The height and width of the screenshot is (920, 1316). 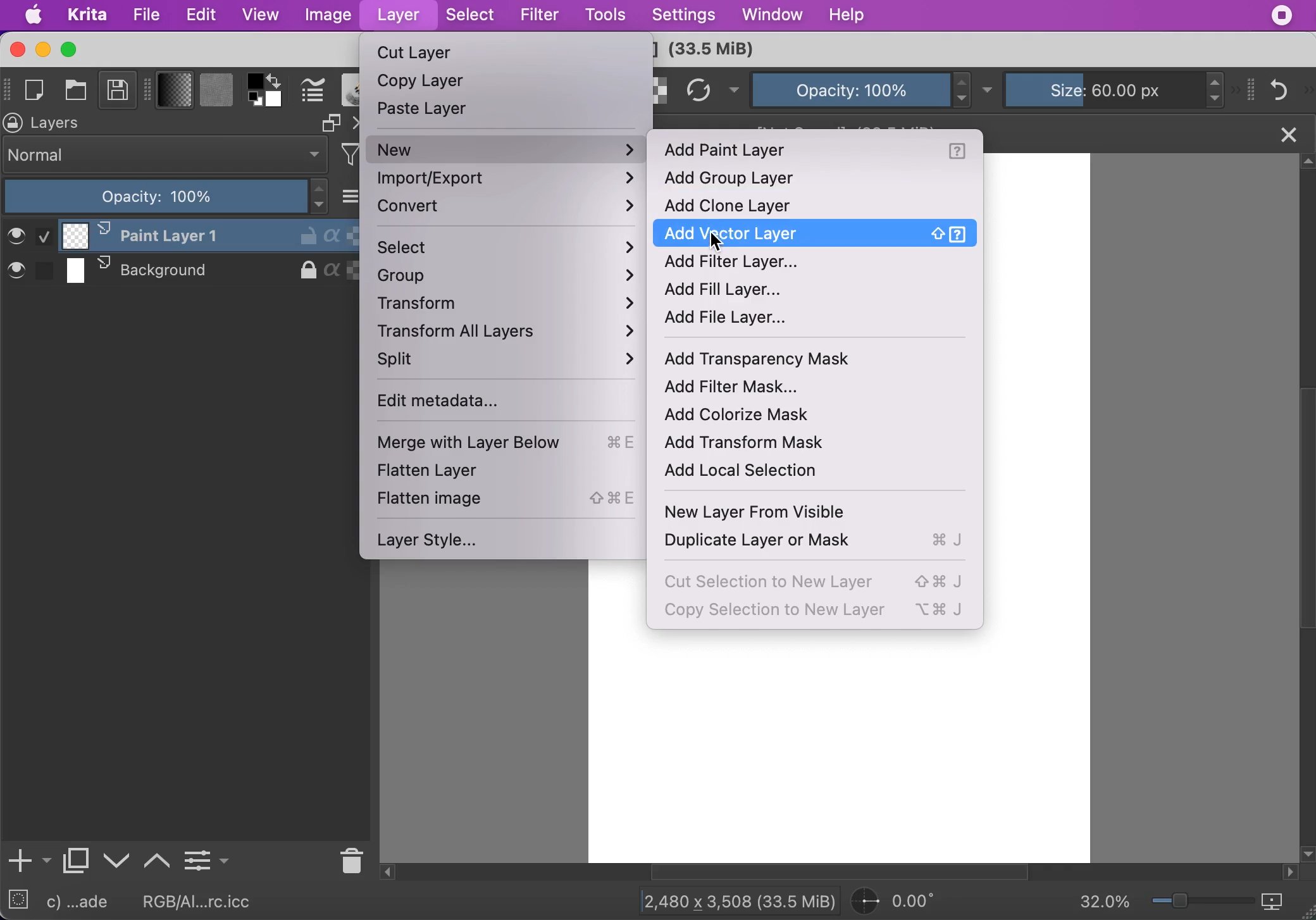 What do you see at coordinates (118, 92) in the screenshot?
I see `save` at bounding box center [118, 92].